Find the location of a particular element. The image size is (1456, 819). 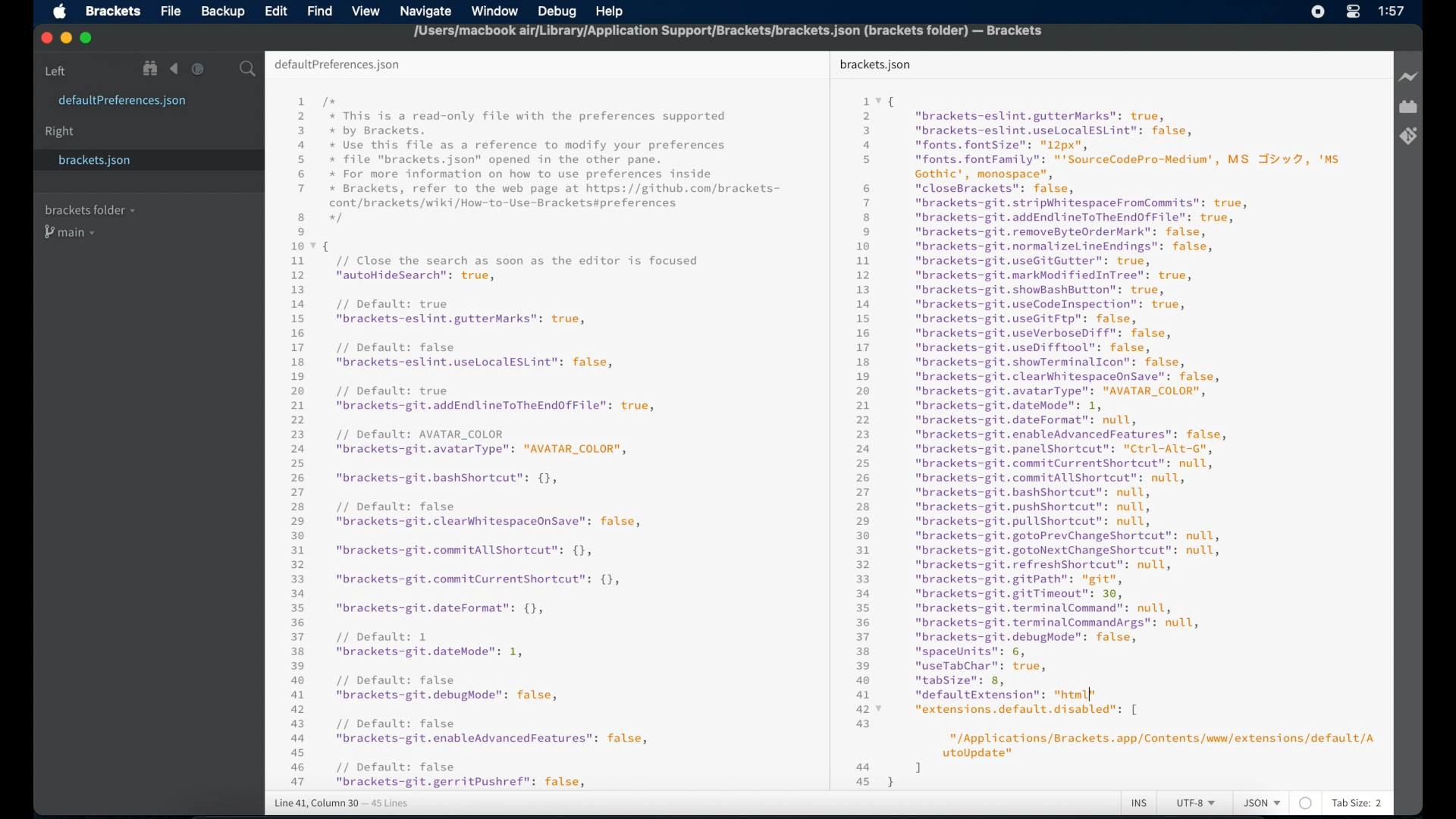

find is located at coordinates (320, 11).